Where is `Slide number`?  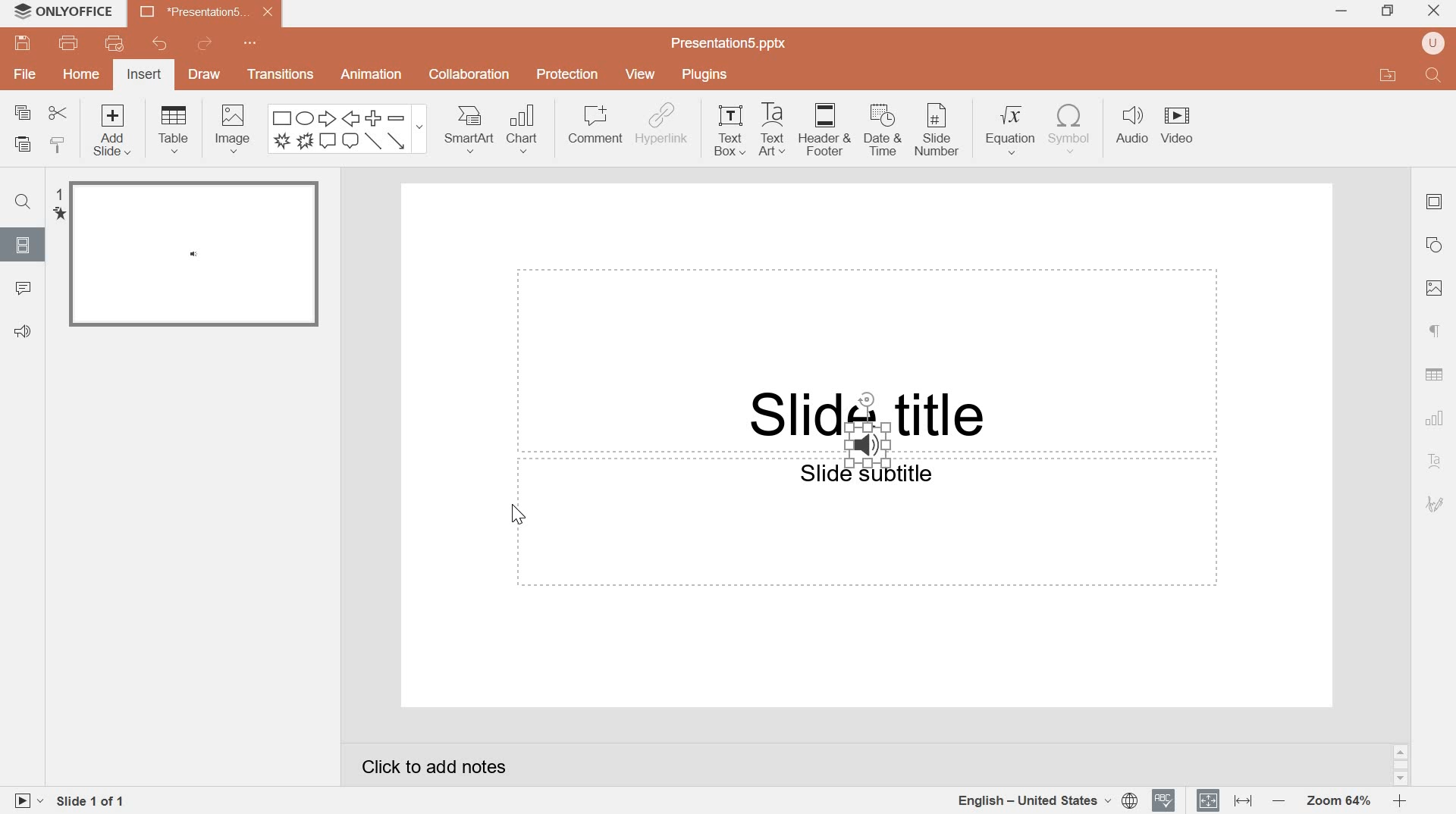 Slide number is located at coordinates (938, 130).